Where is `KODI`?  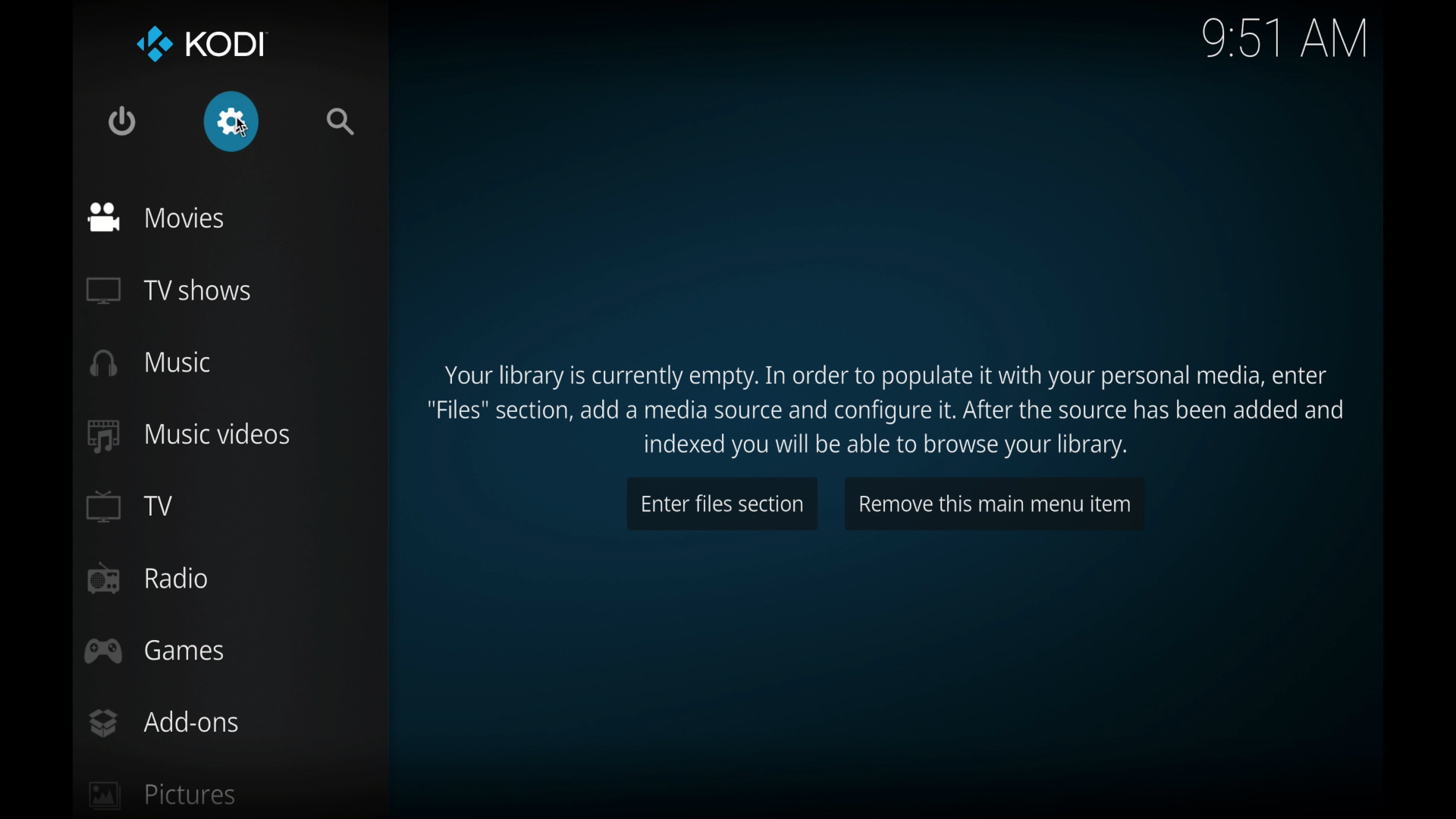 KODI is located at coordinates (199, 45).